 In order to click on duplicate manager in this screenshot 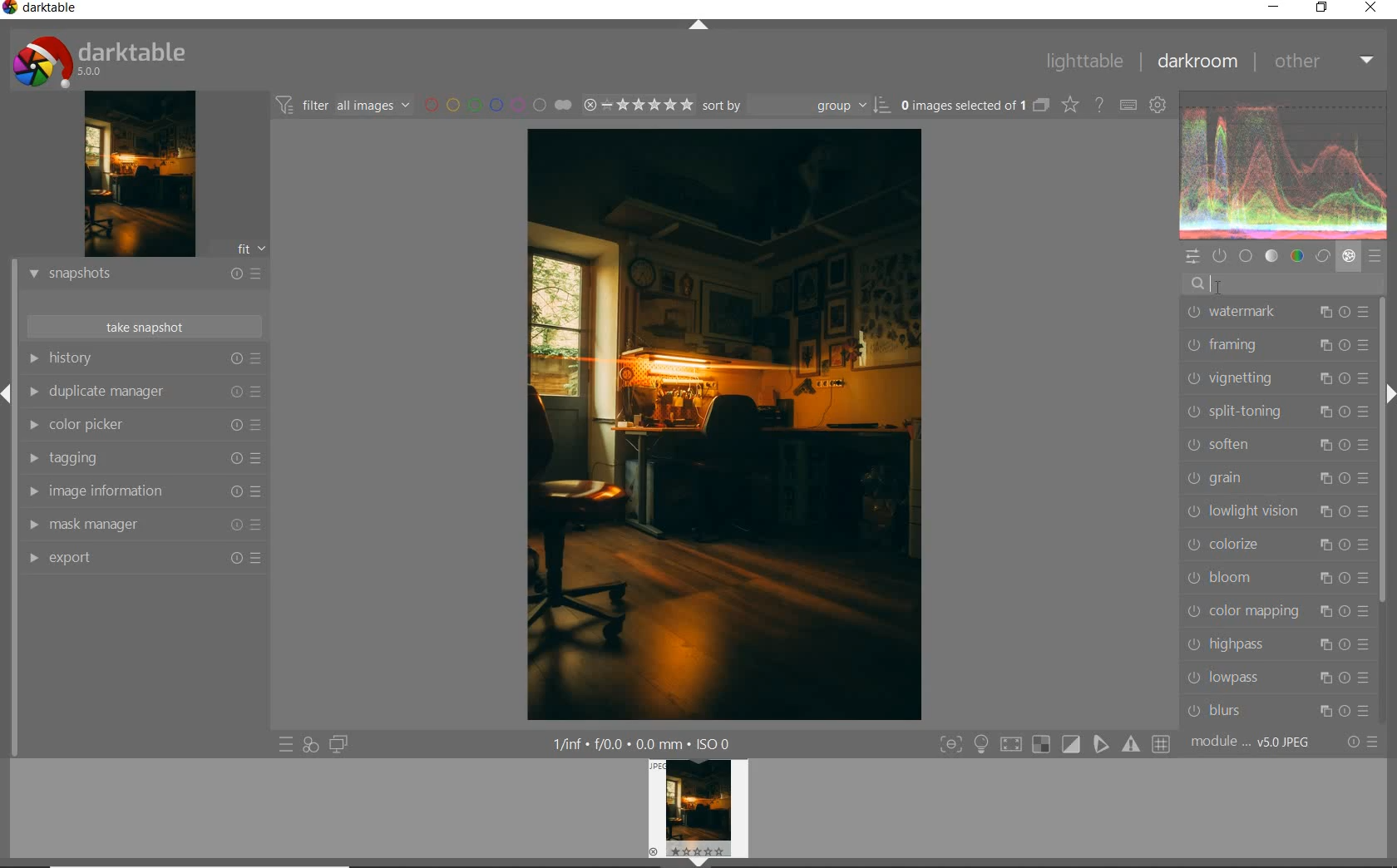, I will do `click(143, 392)`.